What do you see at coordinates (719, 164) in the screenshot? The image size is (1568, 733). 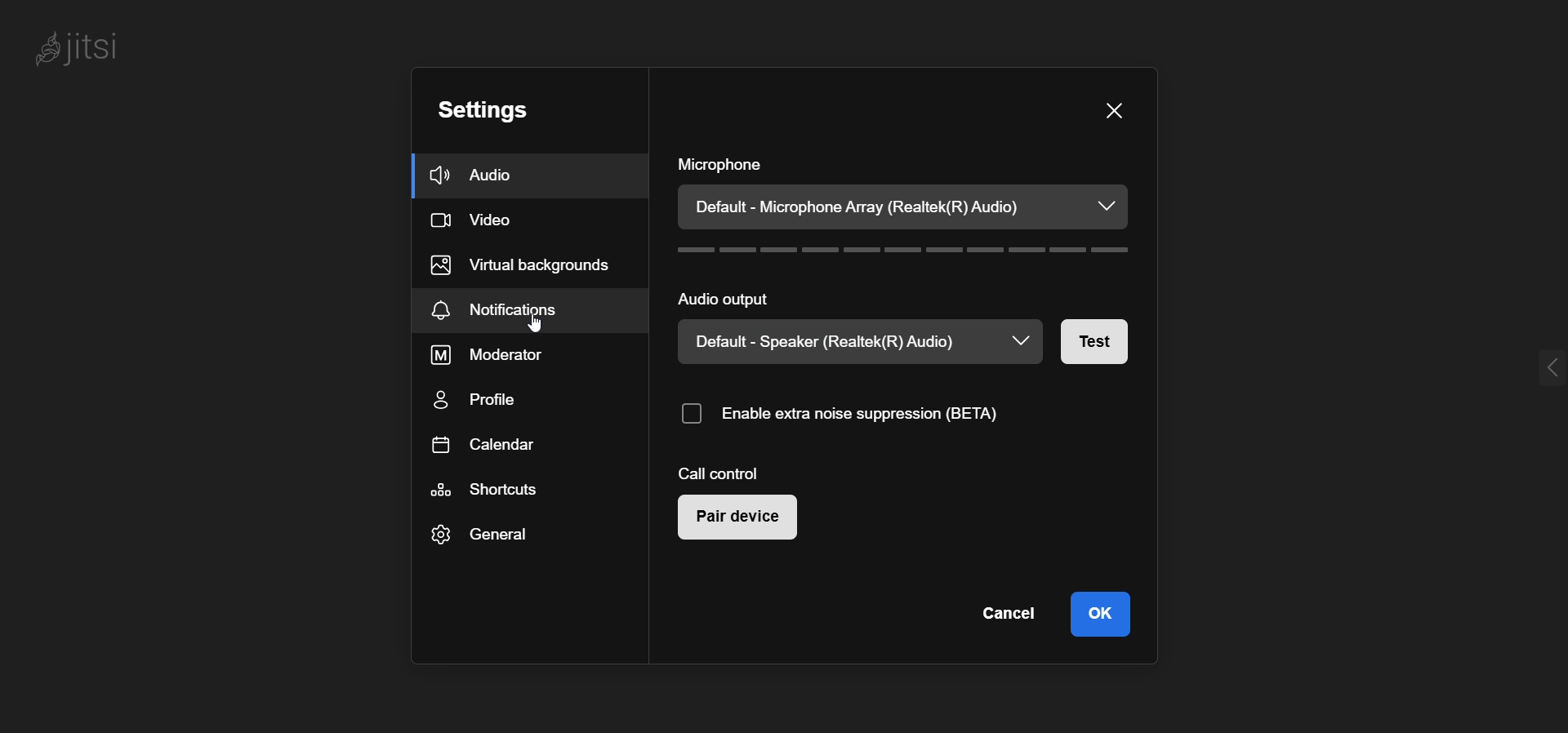 I see `microphone` at bounding box center [719, 164].